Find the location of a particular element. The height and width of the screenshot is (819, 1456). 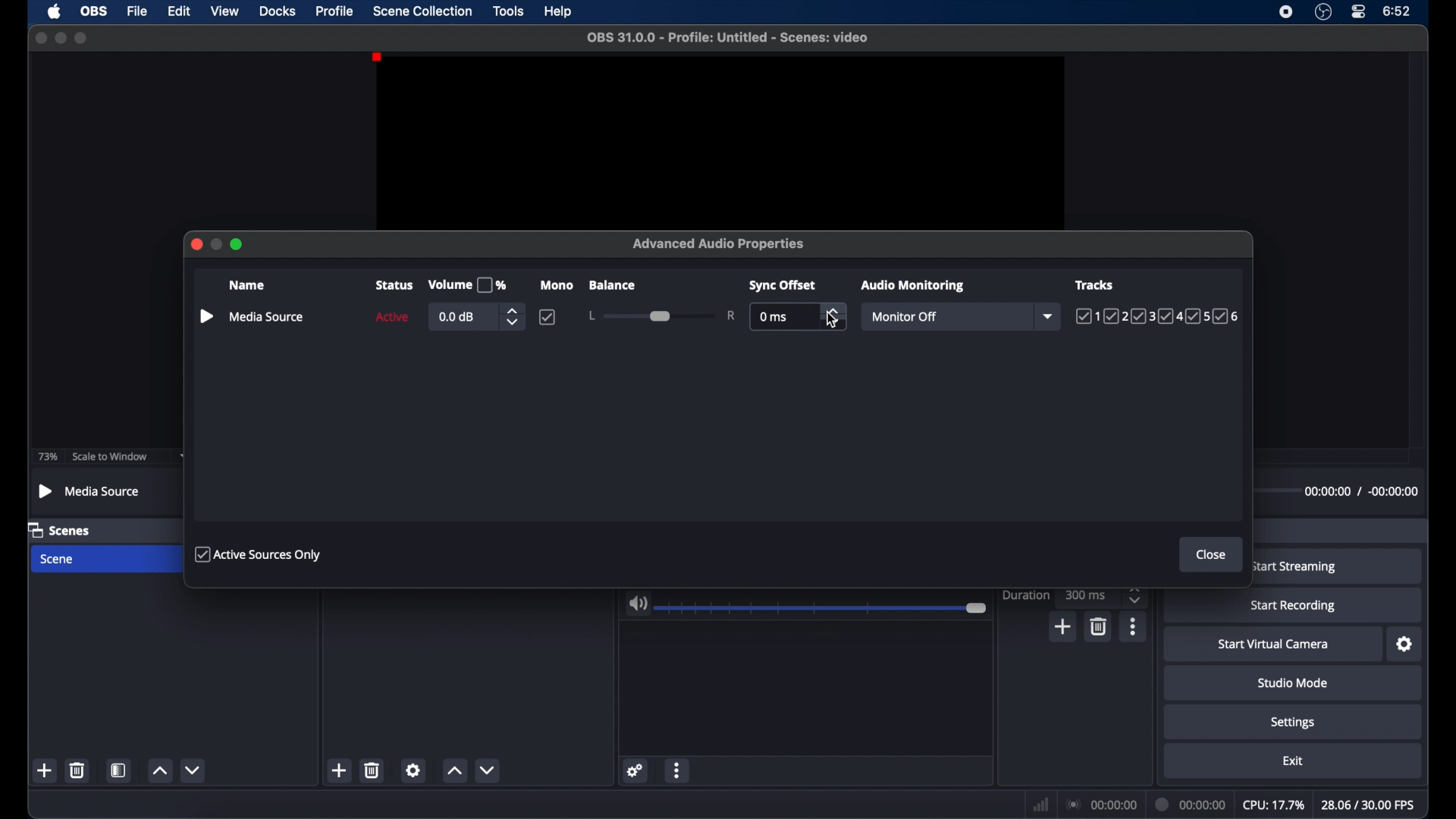

0 ms is located at coordinates (773, 318).